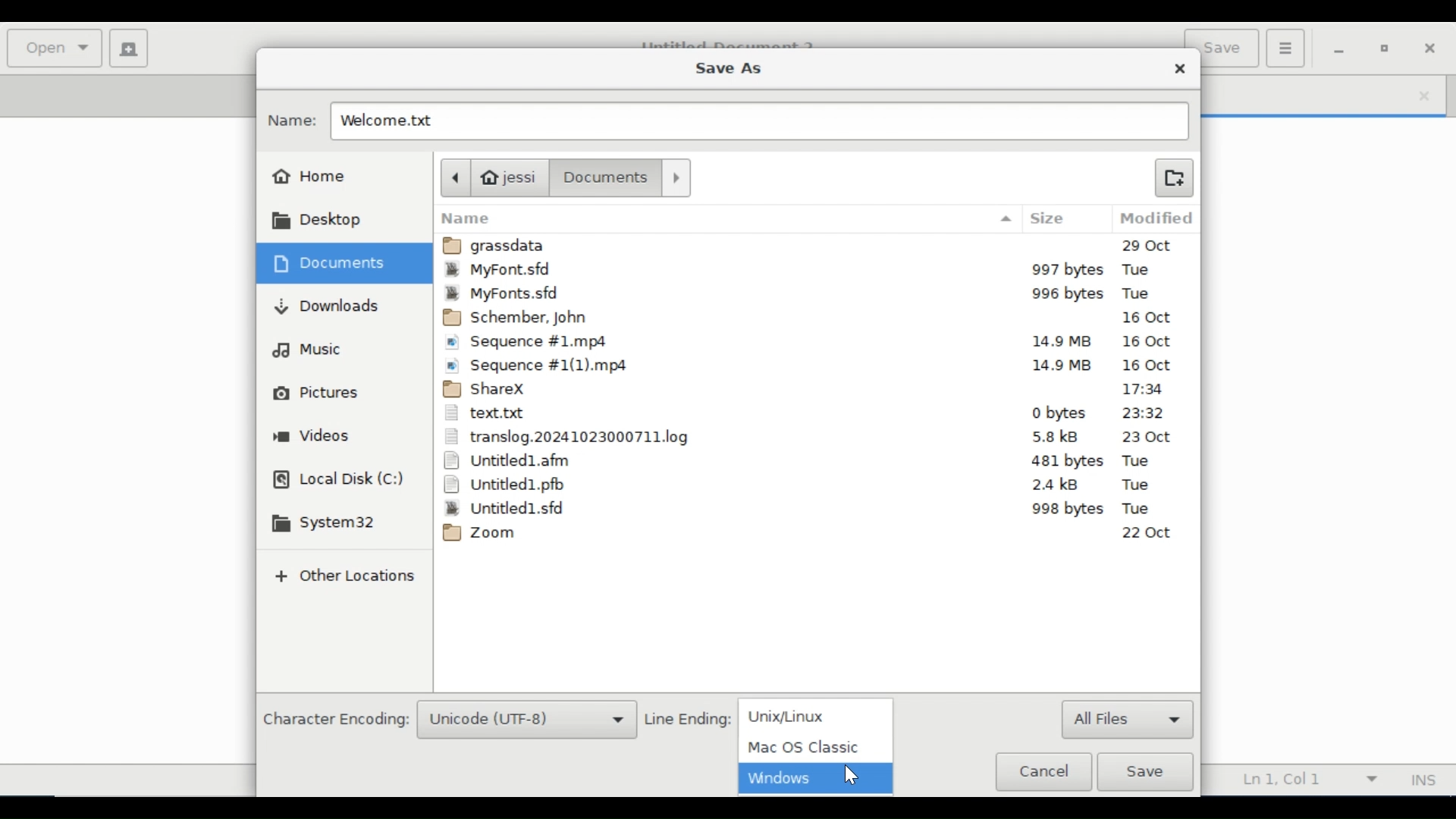 This screenshot has height=819, width=1456. I want to click on text.txt 0 bytes 23:32, so click(811, 415).